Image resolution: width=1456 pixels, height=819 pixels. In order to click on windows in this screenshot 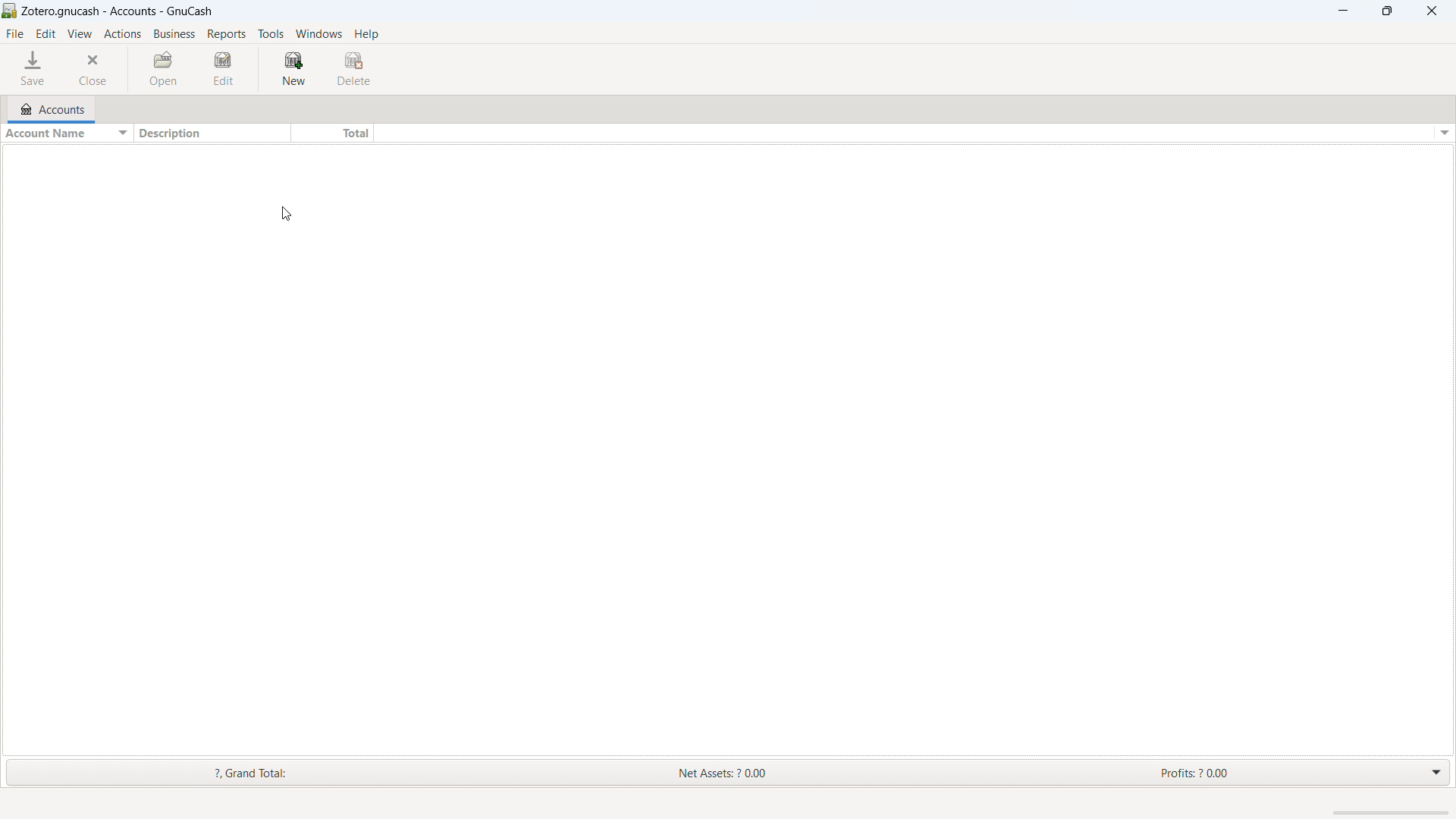, I will do `click(319, 34)`.